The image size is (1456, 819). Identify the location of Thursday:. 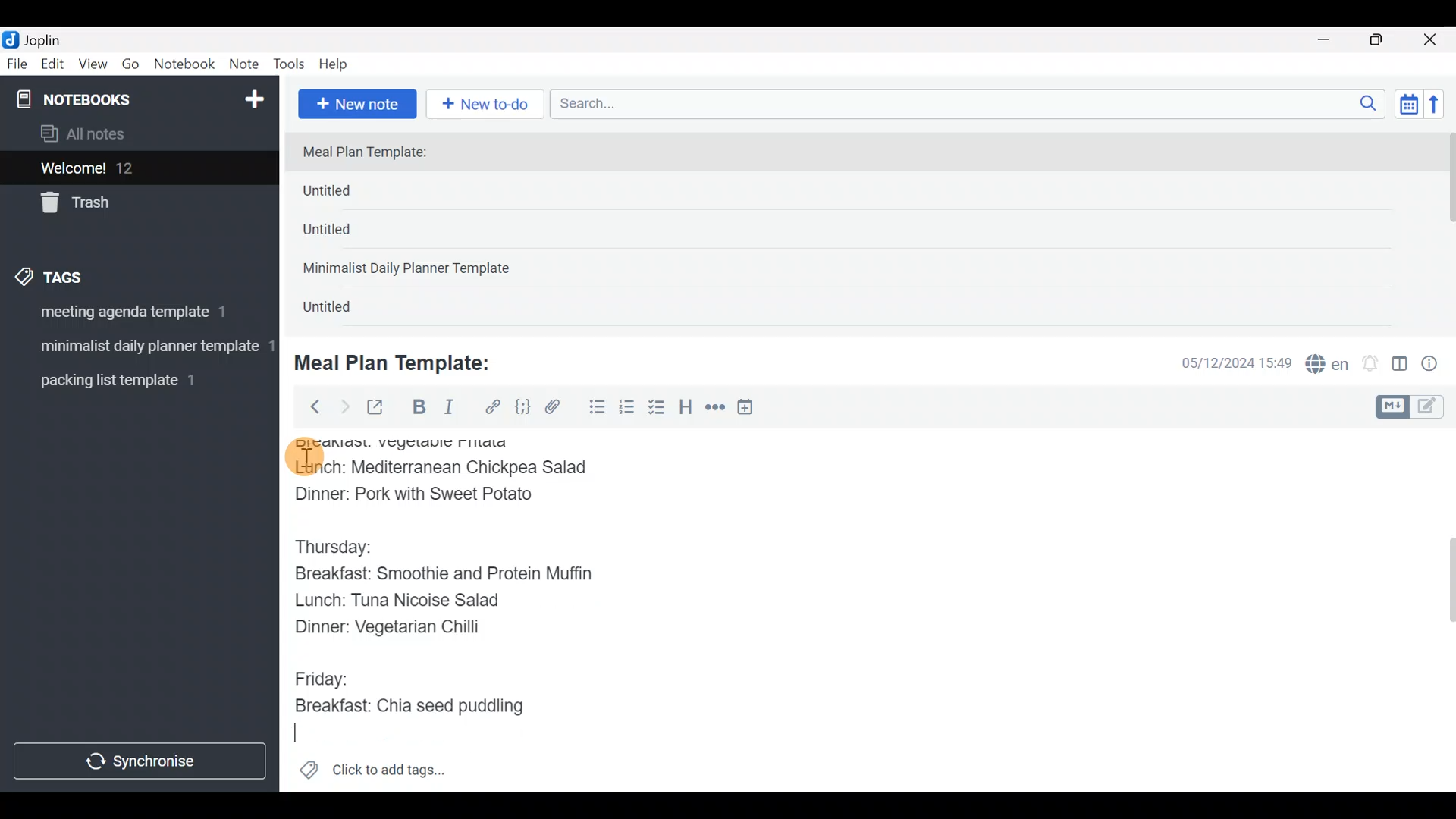
(344, 548).